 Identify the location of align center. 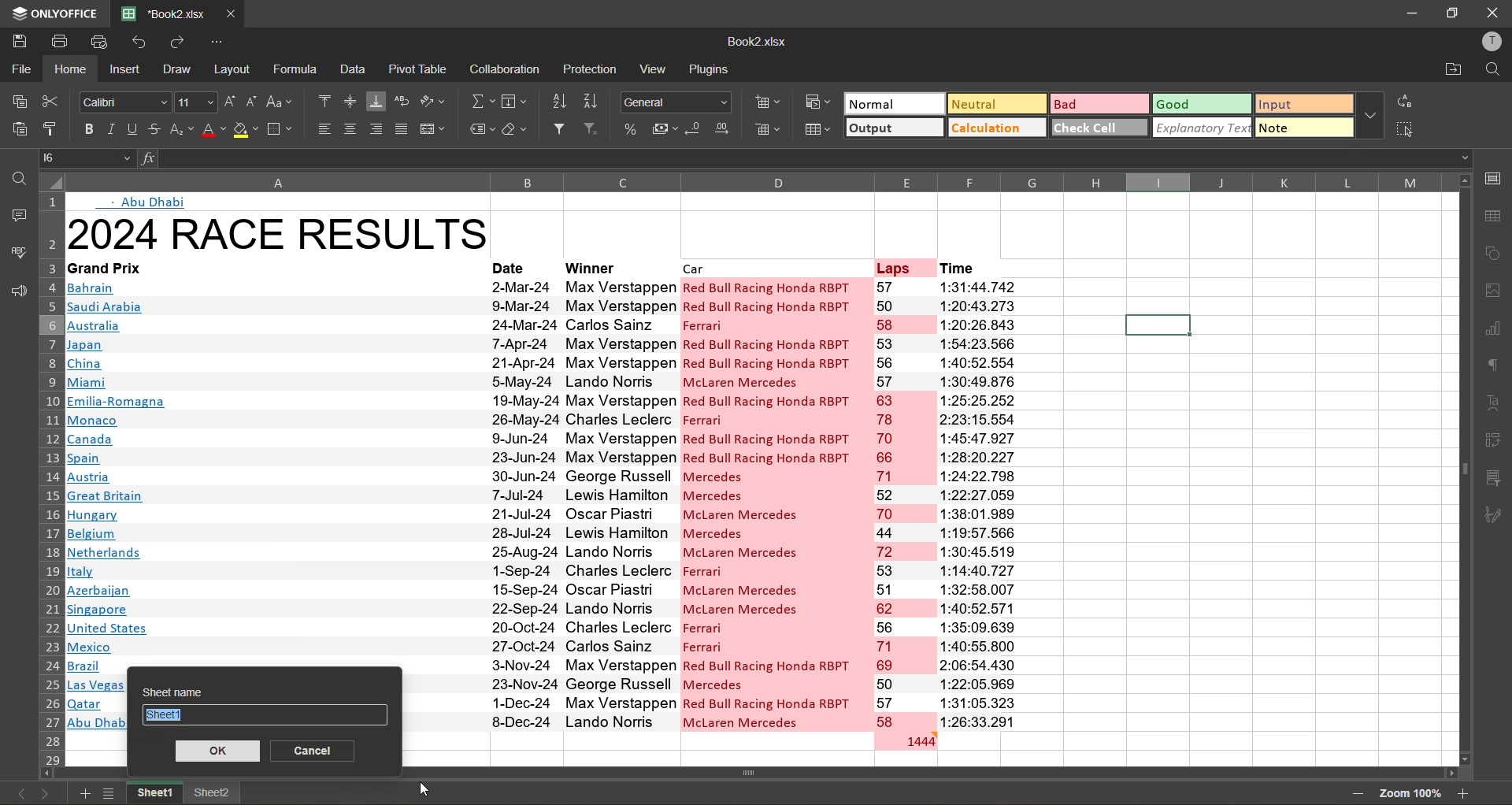
(350, 127).